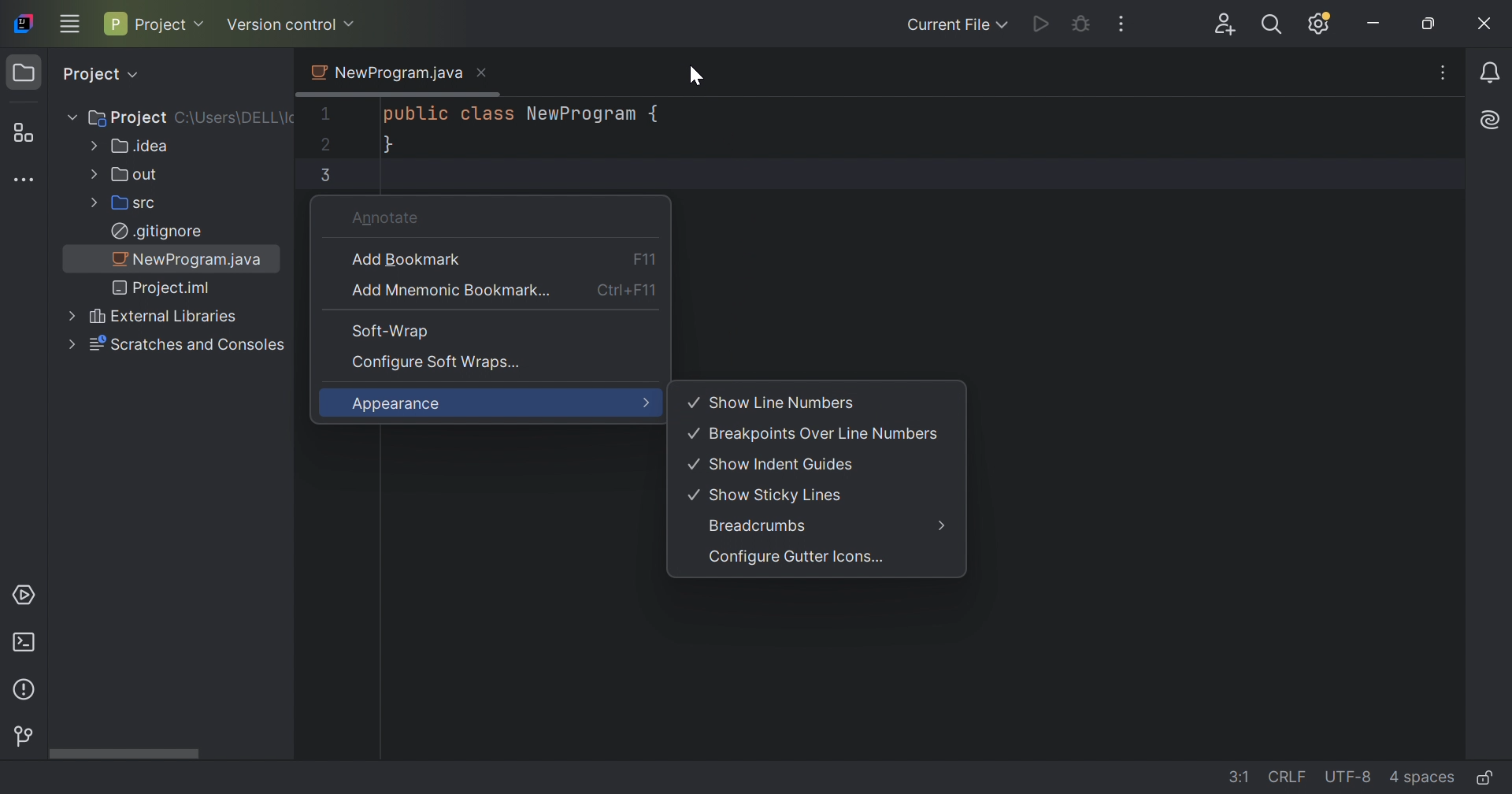 The height and width of the screenshot is (794, 1512). Describe the element at coordinates (190, 345) in the screenshot. I see `Scratches and Consoles` at that location.